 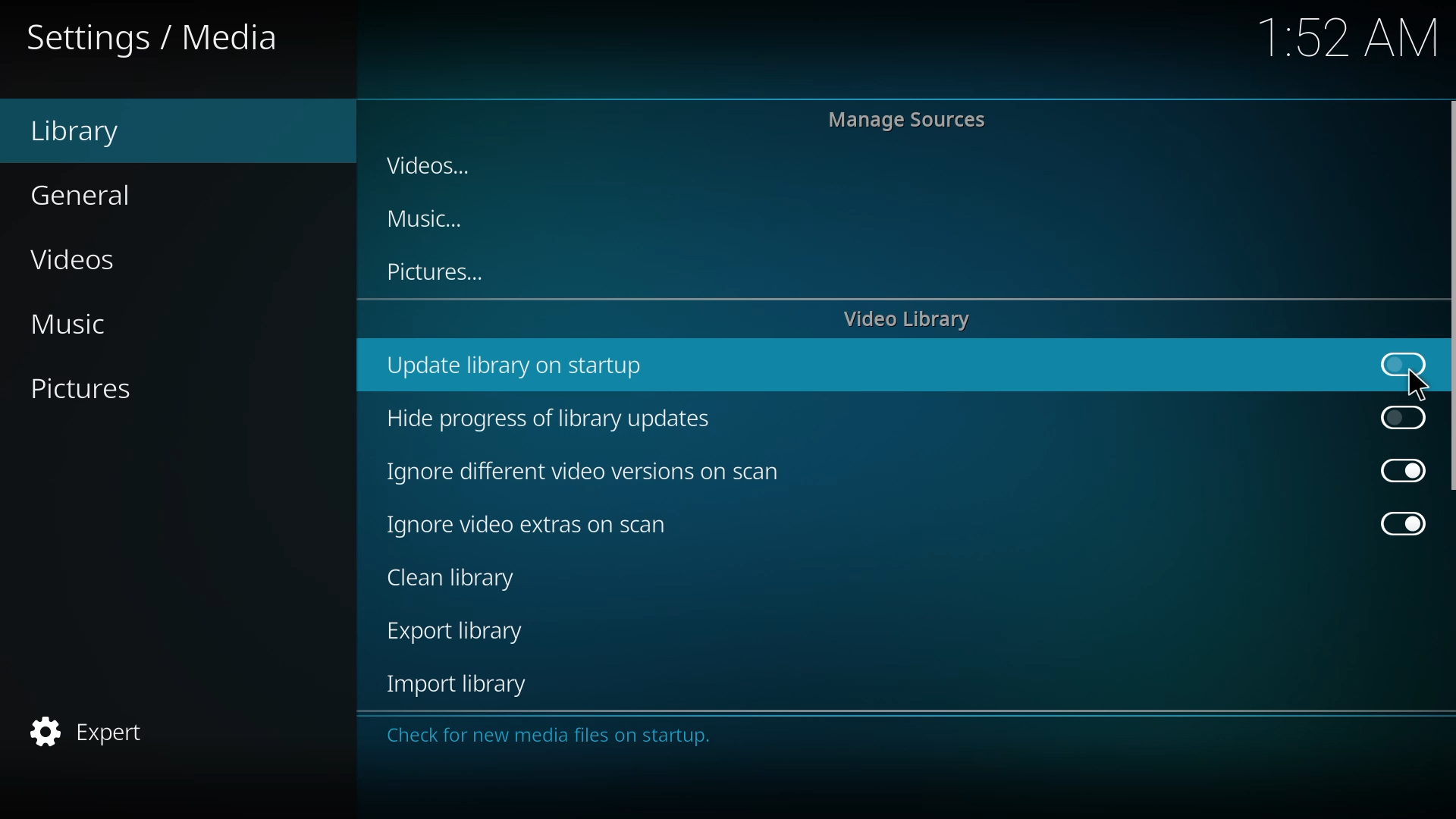 What do you see at coordinates (588, 472) in the screenshot?
I see `ignore different video versions on scan` at bounding box center [588, 472].